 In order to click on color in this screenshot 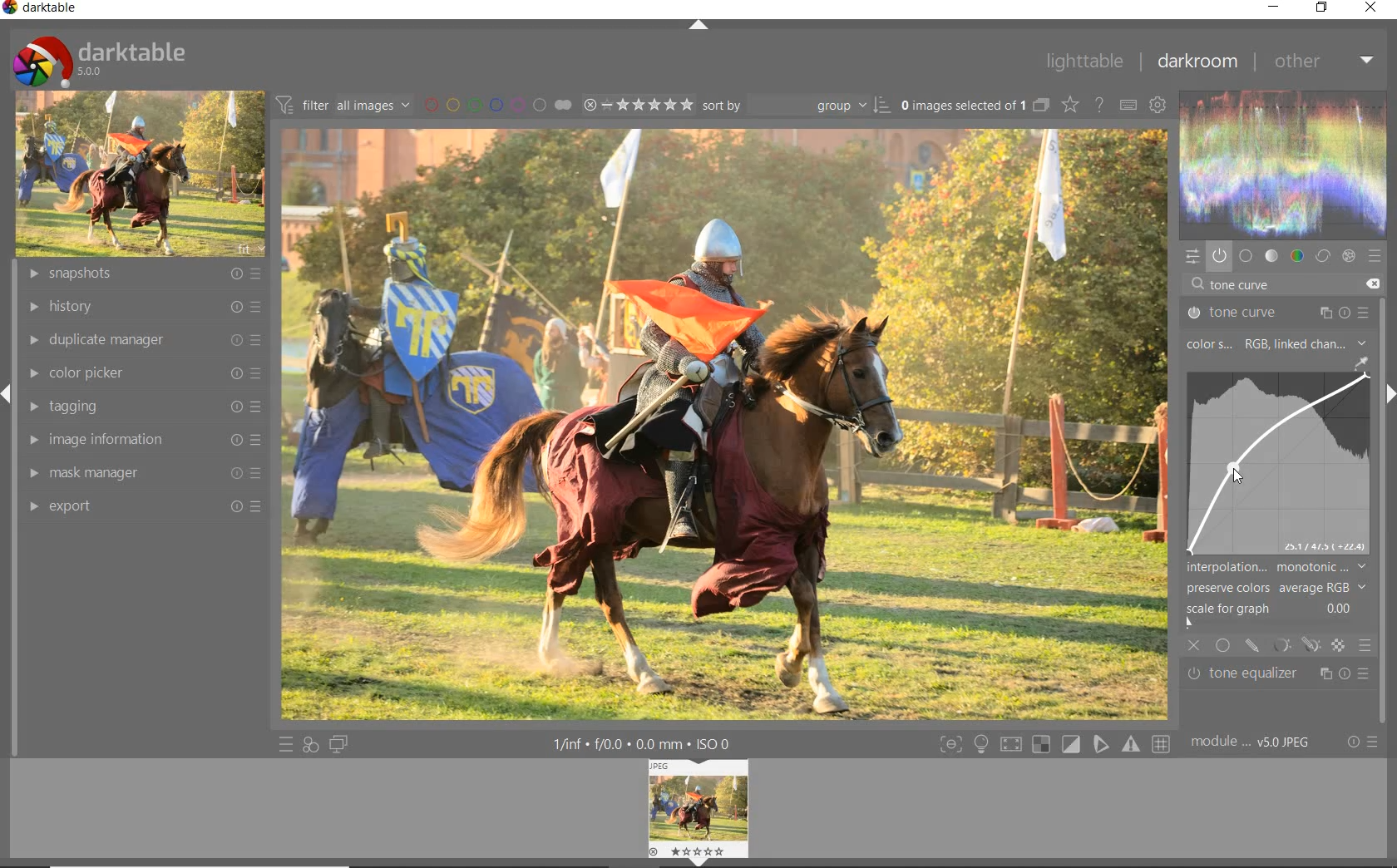, I will do `click(1298, 256)`.